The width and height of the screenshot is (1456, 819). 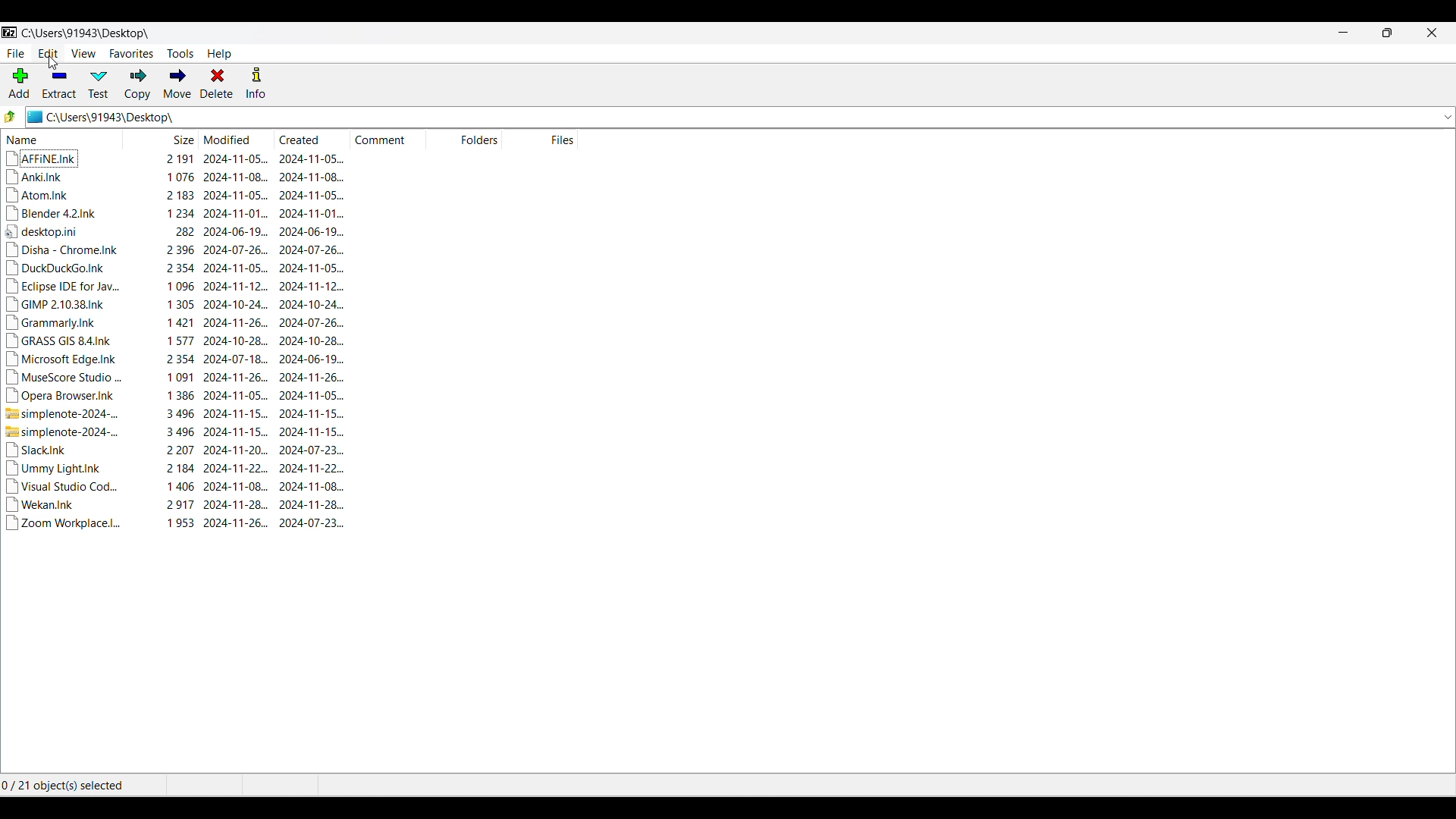 I want to click on Copy, so click(x=138, y=84).